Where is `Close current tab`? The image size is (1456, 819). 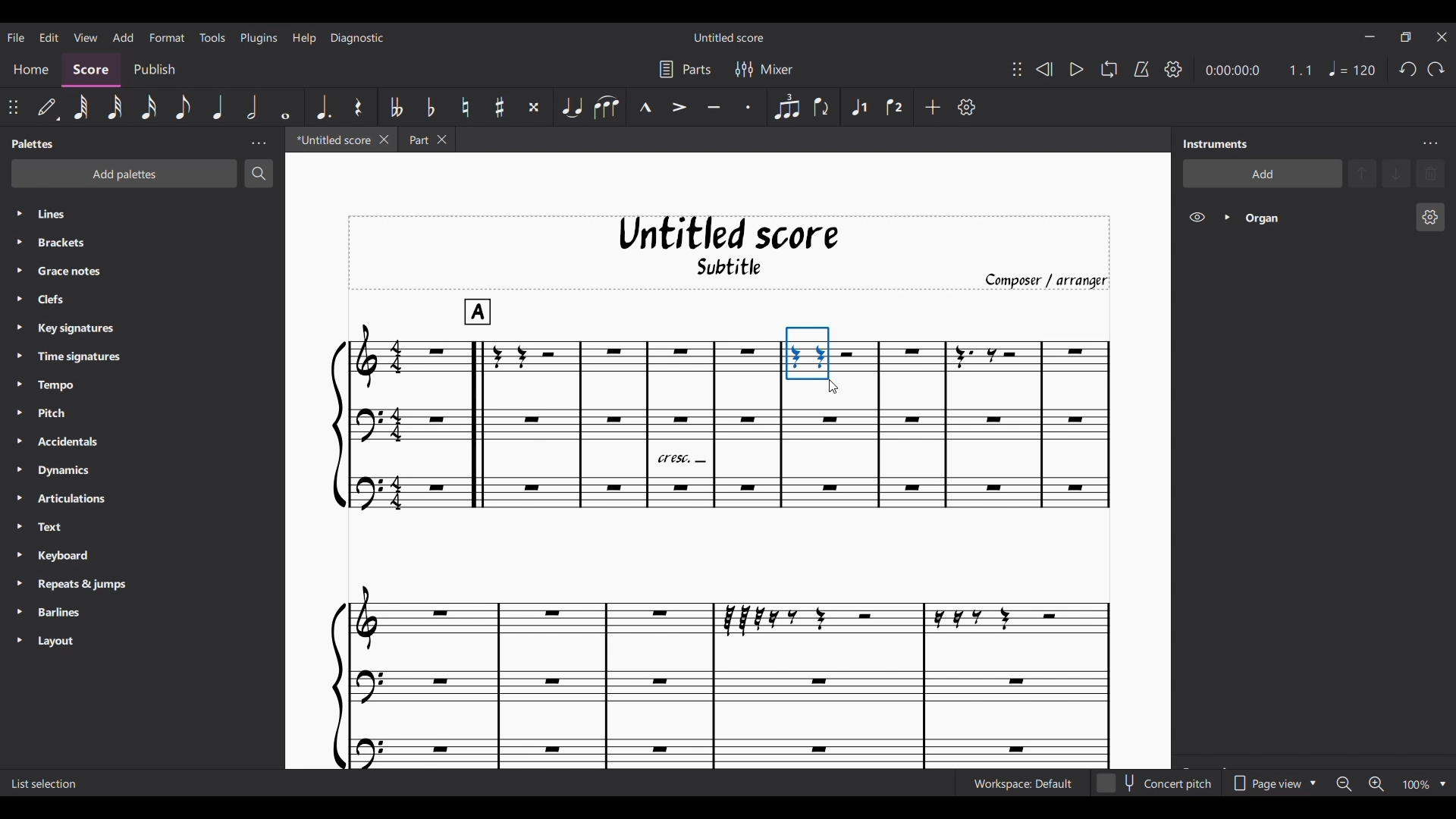 Close current tab is located at coordinates (384, 139).